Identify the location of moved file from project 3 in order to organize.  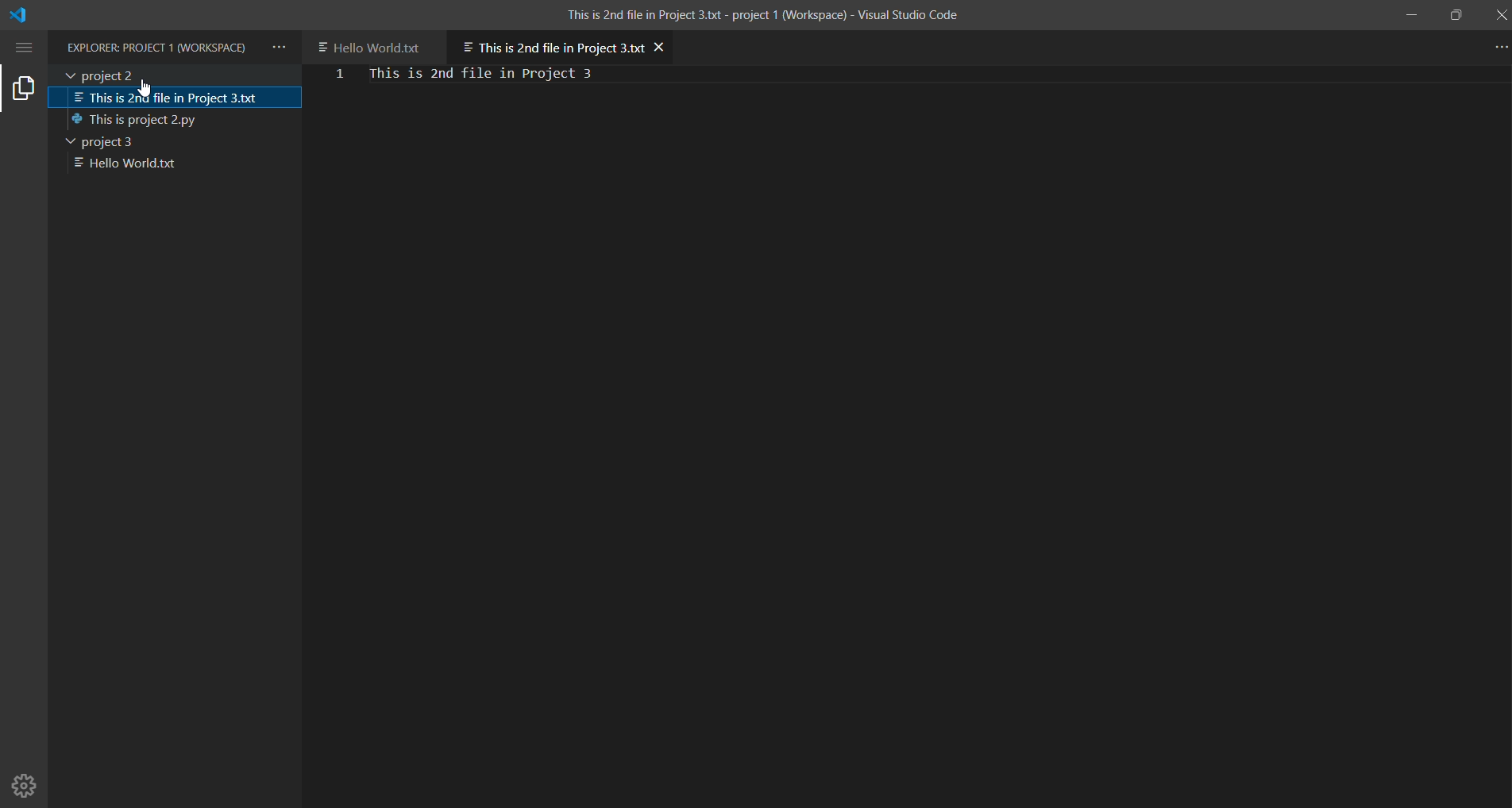
(172, 98).